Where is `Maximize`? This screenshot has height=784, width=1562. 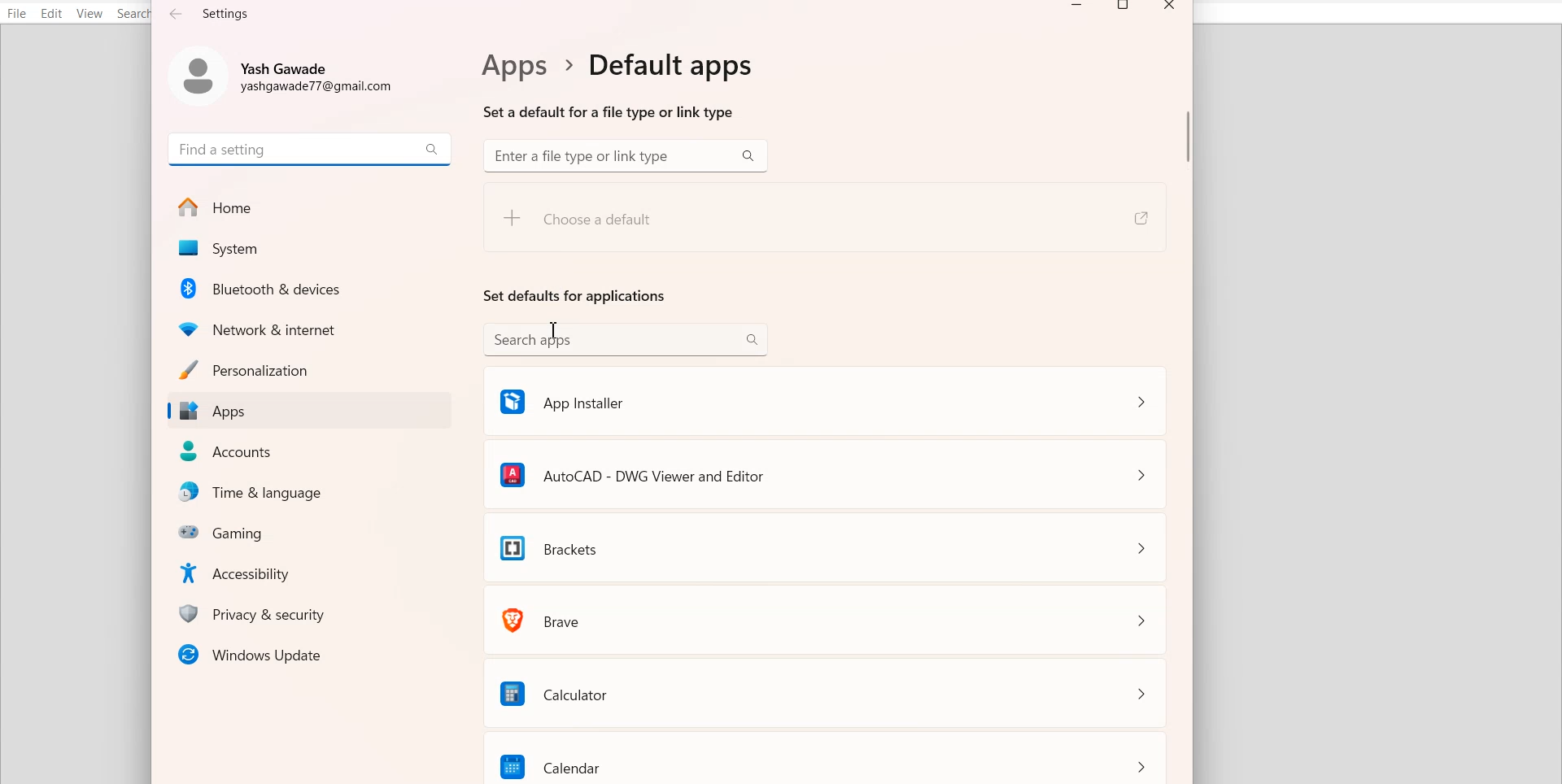
Maximize is located at coordinates (1125, 8).